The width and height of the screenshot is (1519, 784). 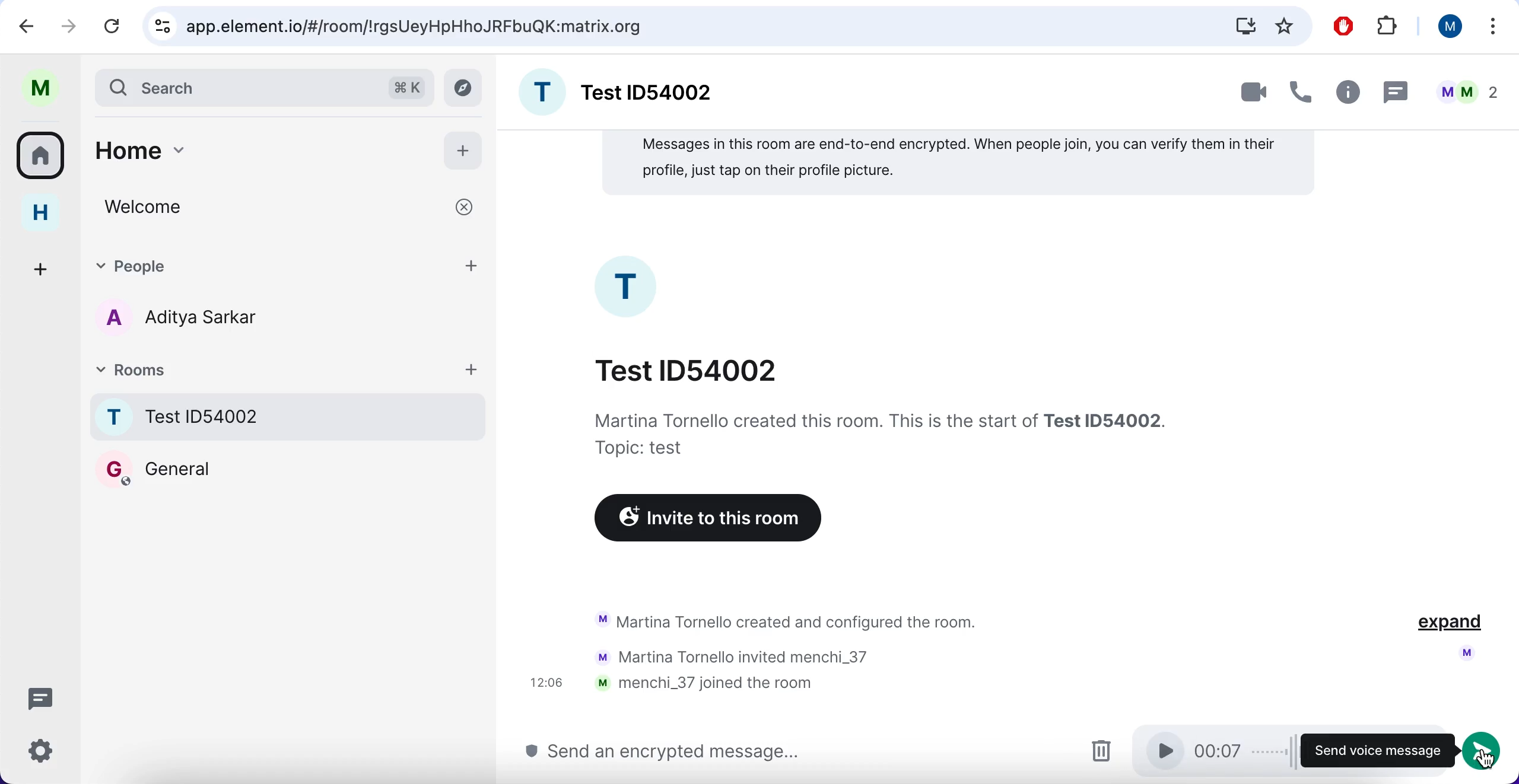 I want to click on user, so click(x=40, y=88).